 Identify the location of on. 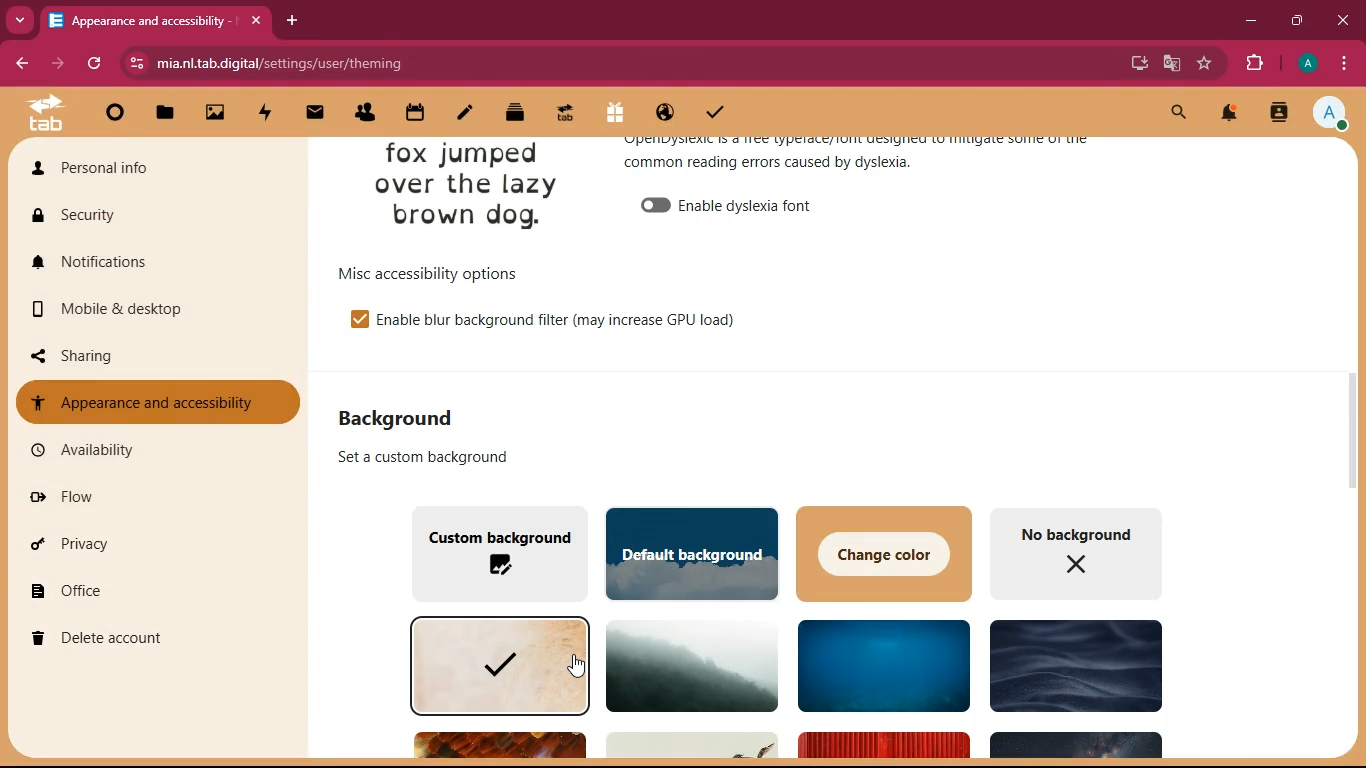
(357, 318).